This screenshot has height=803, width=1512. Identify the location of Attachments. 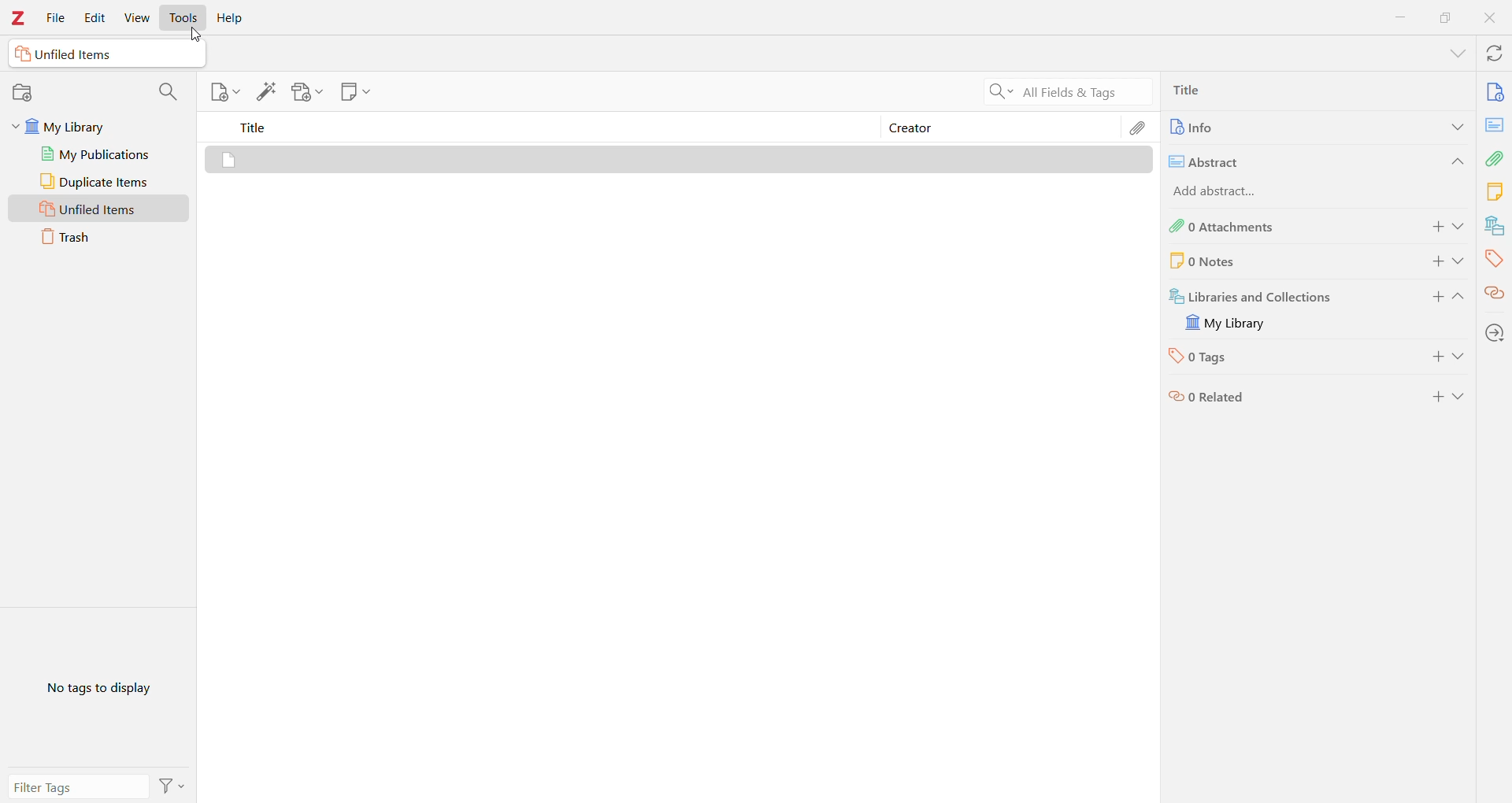
(1140, 129).